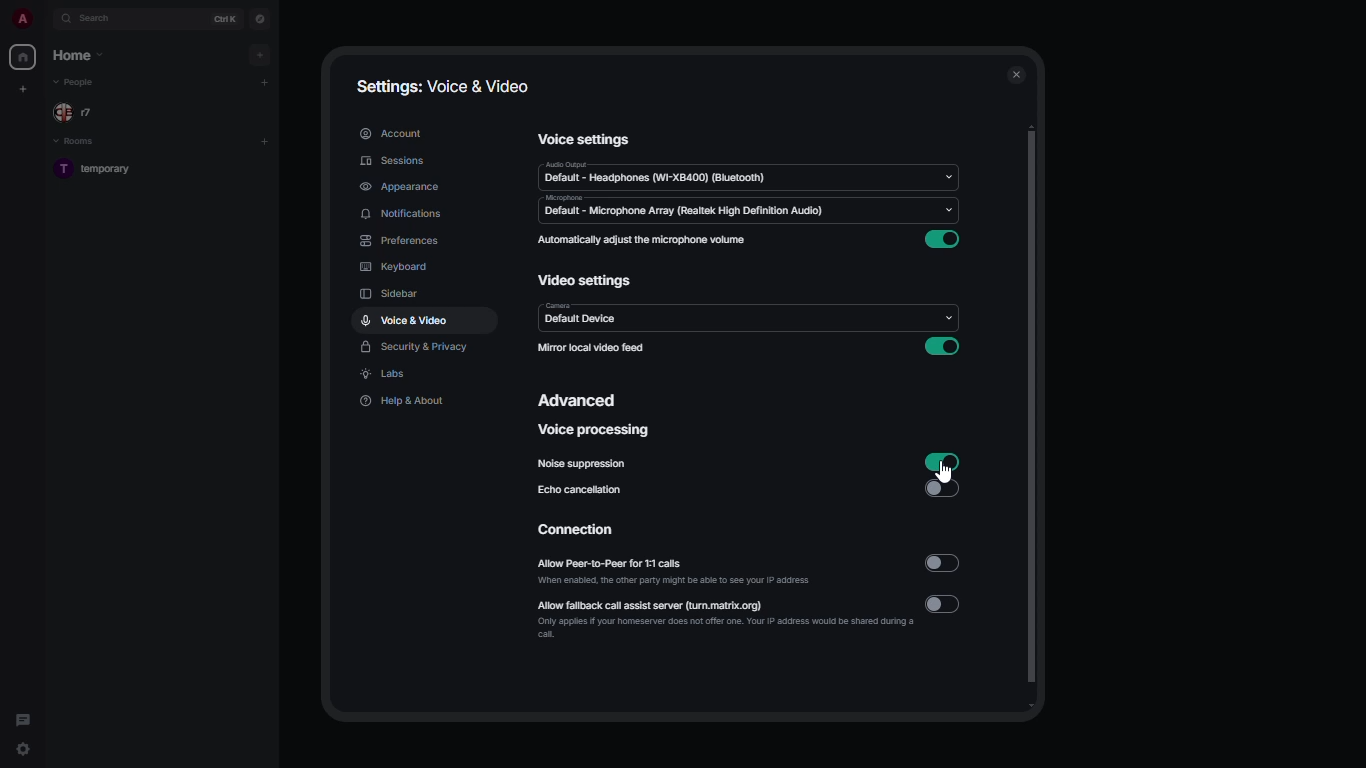  What do you see at coordinates (391, 132) in the screenshot?
I see `account` at bounding box center [391, 132].